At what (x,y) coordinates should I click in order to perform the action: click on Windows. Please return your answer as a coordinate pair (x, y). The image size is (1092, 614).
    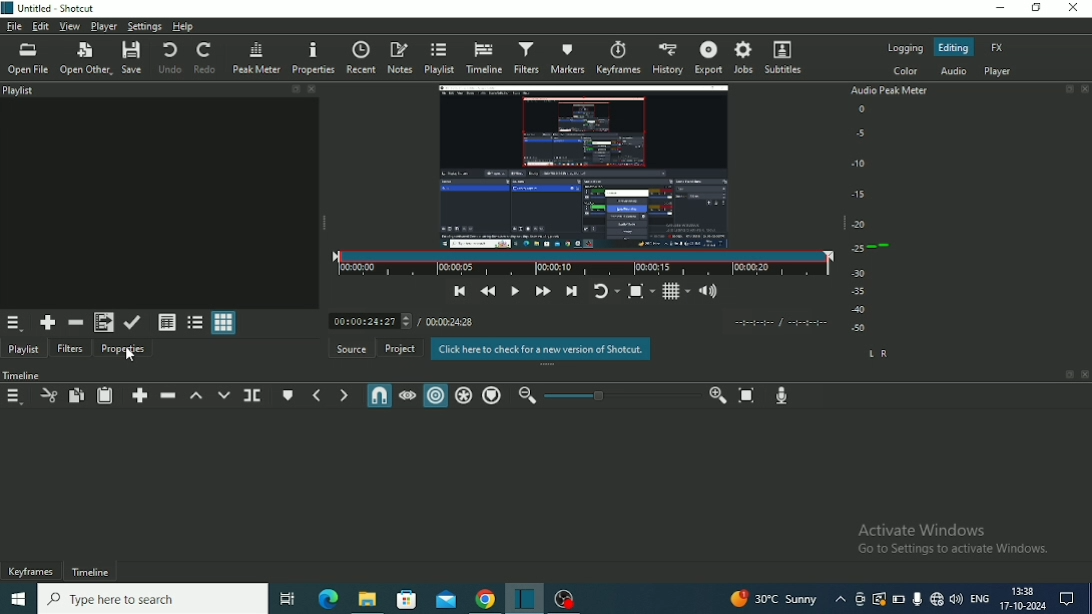
    Looking at the image, I should click on (18, 598).